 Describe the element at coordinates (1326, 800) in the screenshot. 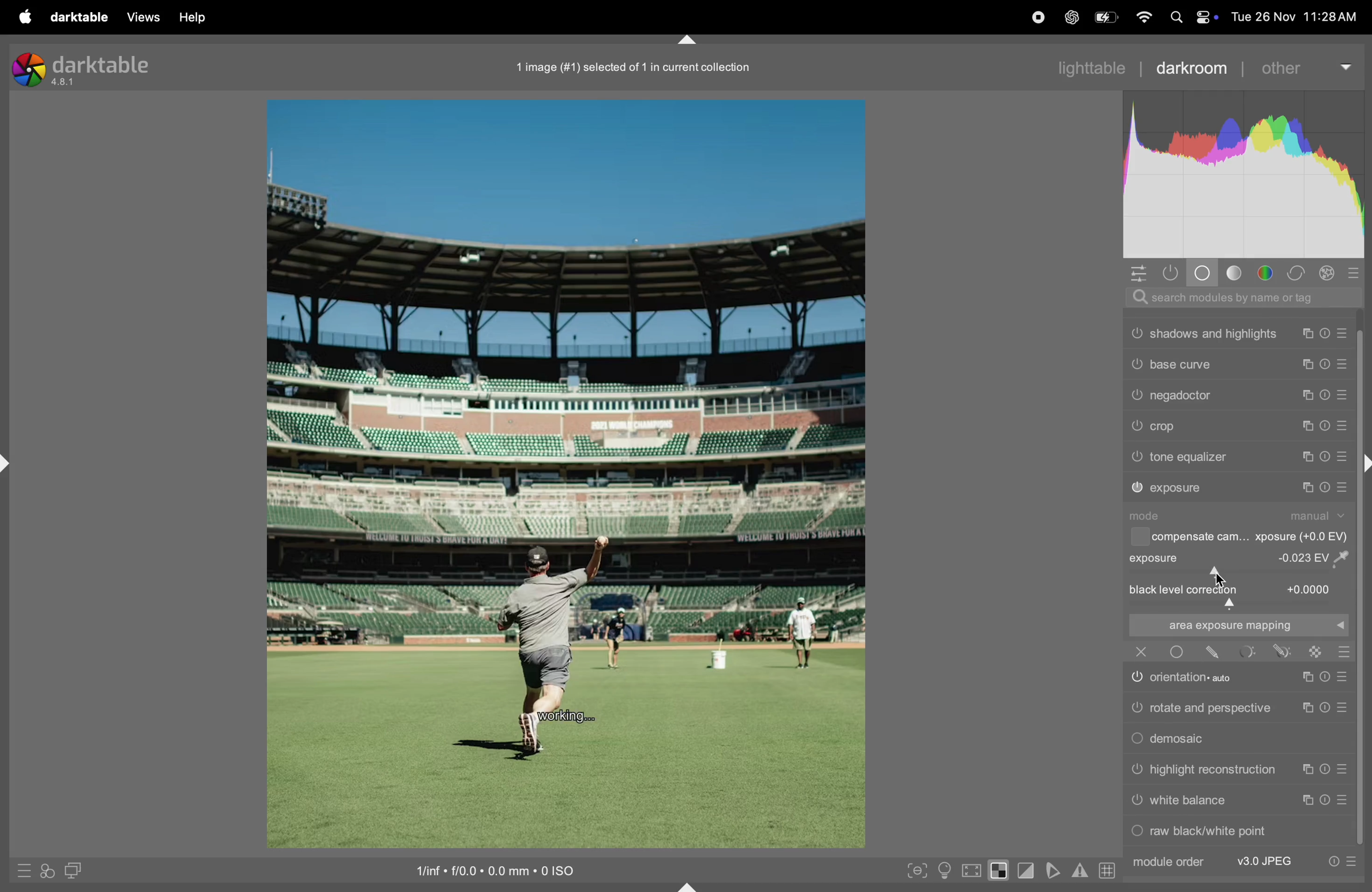

I see `reset Preset` at that location.